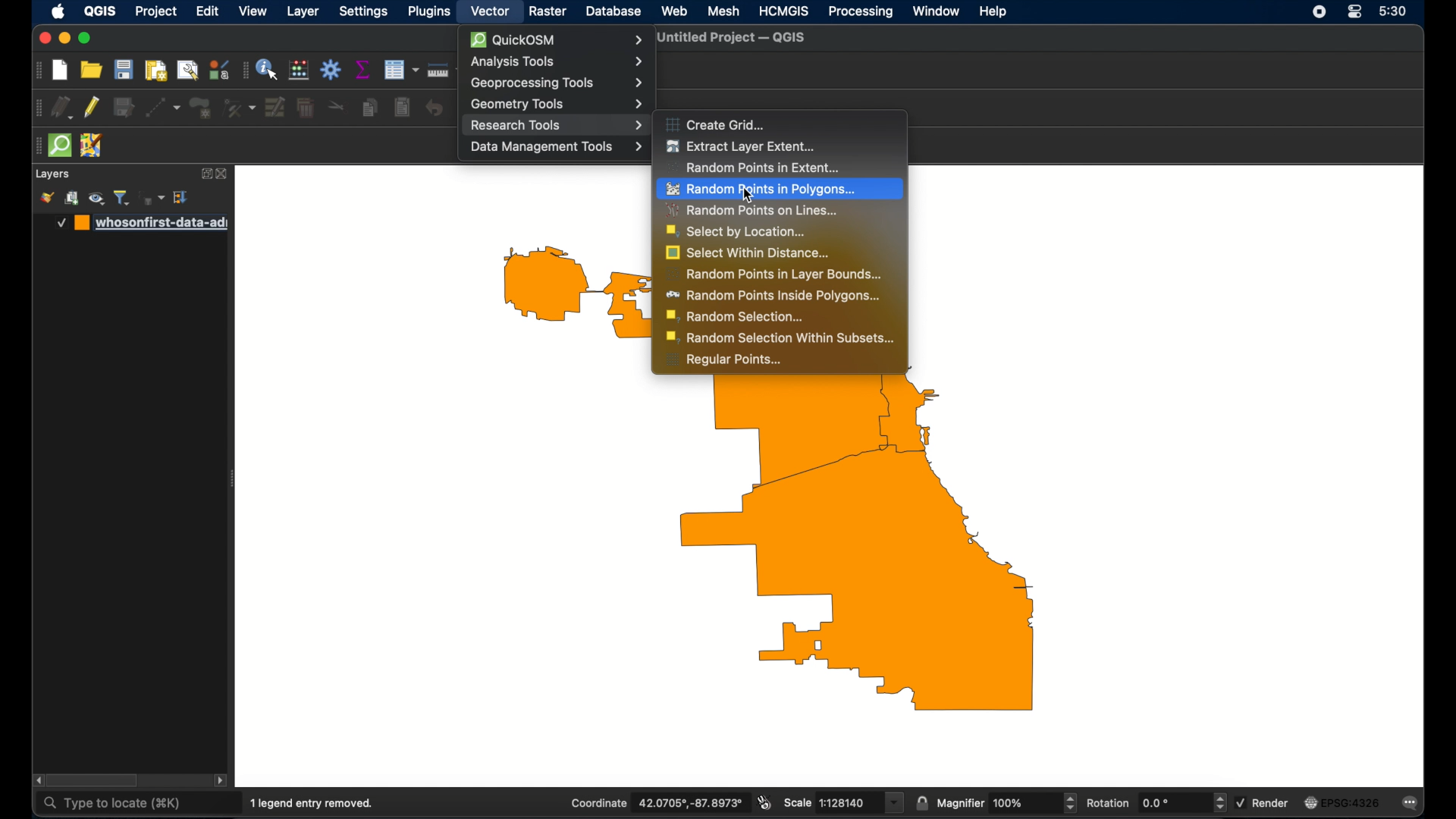  Describe the element at coordinates (783, 11) in the screenshot. I see `HCMGIS` at that location.